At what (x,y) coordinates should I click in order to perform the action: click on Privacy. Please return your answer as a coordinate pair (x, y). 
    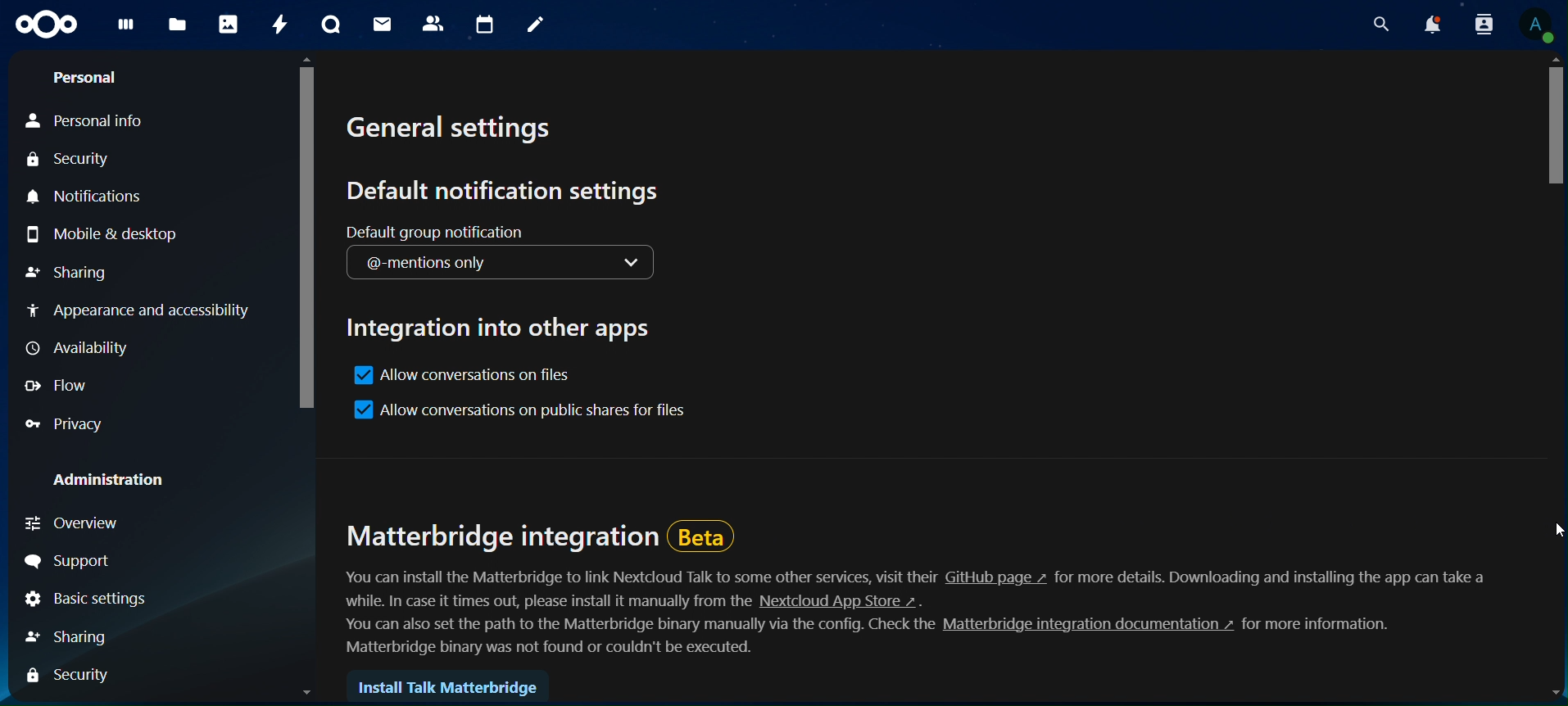
    Looking at the image, I should click on (64, 424).